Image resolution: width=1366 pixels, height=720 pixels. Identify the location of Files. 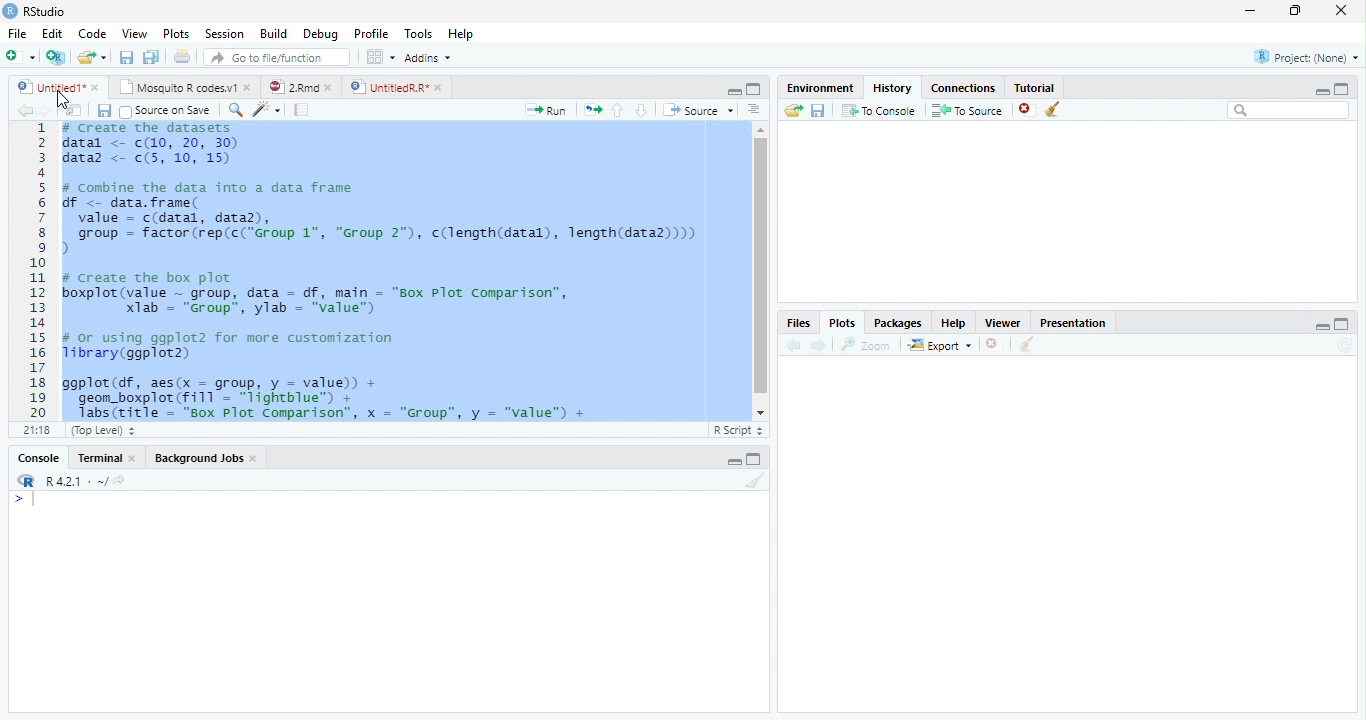
(800, 322).